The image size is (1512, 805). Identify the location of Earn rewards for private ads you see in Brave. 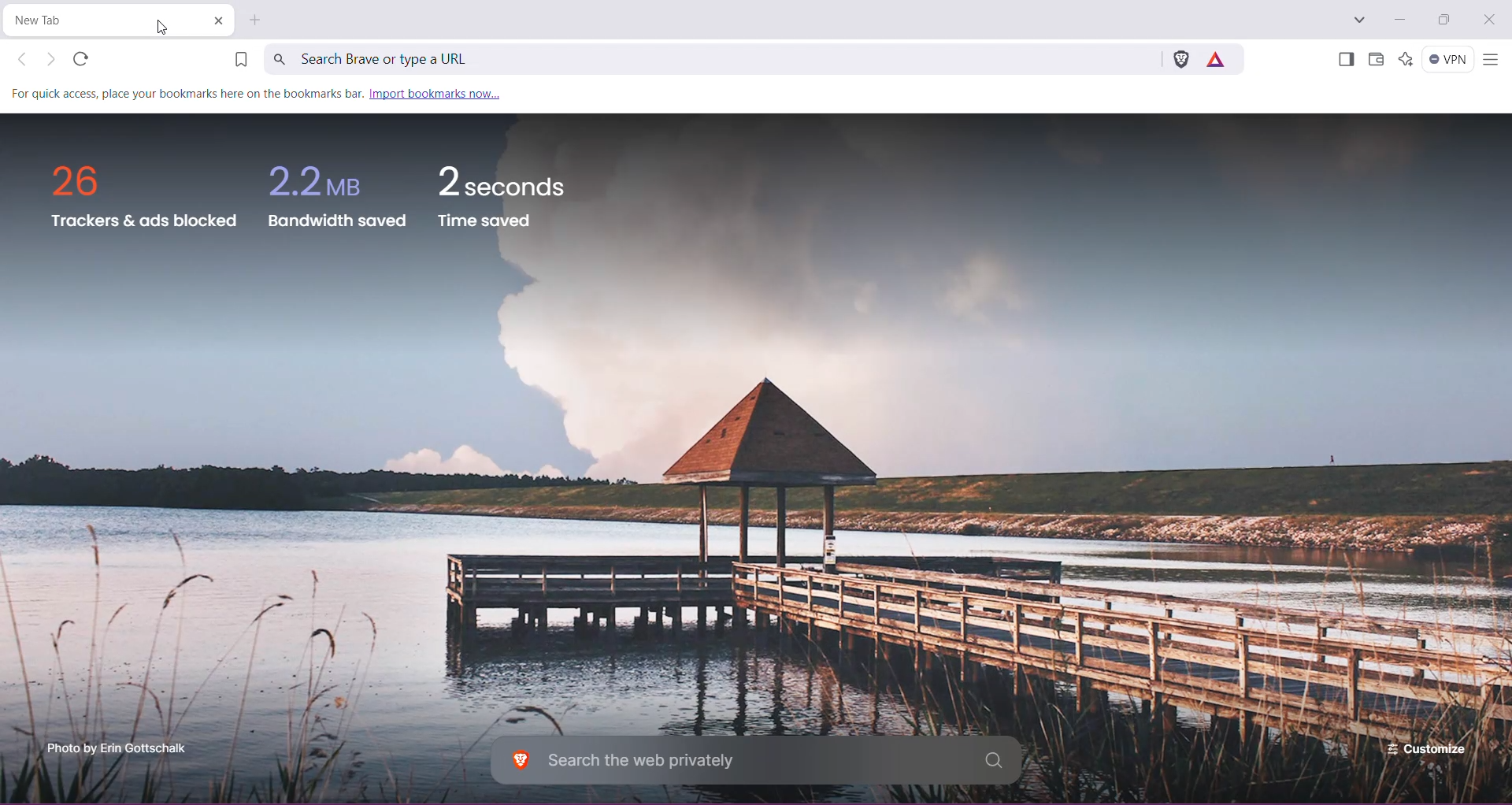
(1217, 60).